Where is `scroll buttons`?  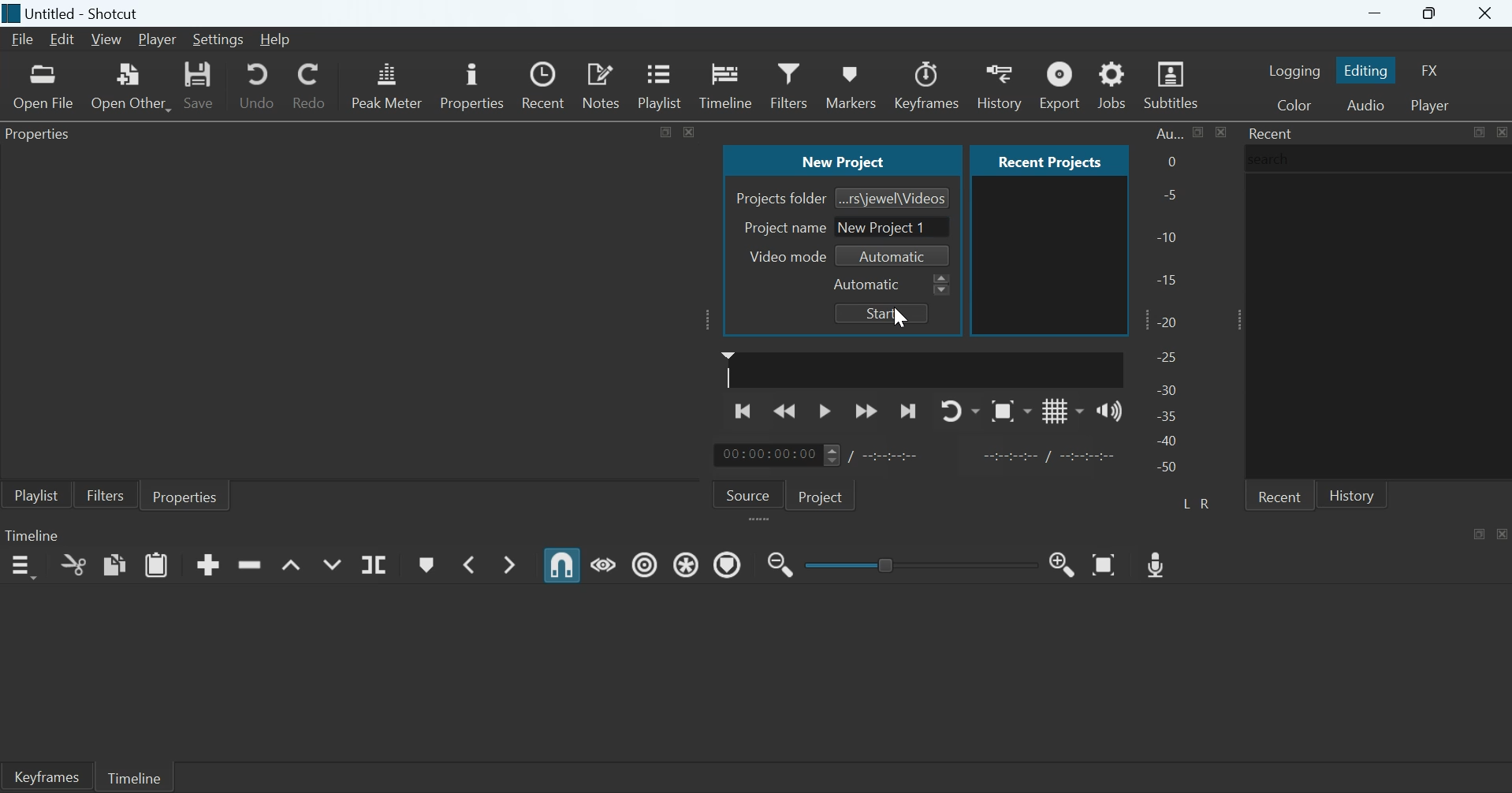 scroll buttons is located at coordinates (942, 285).